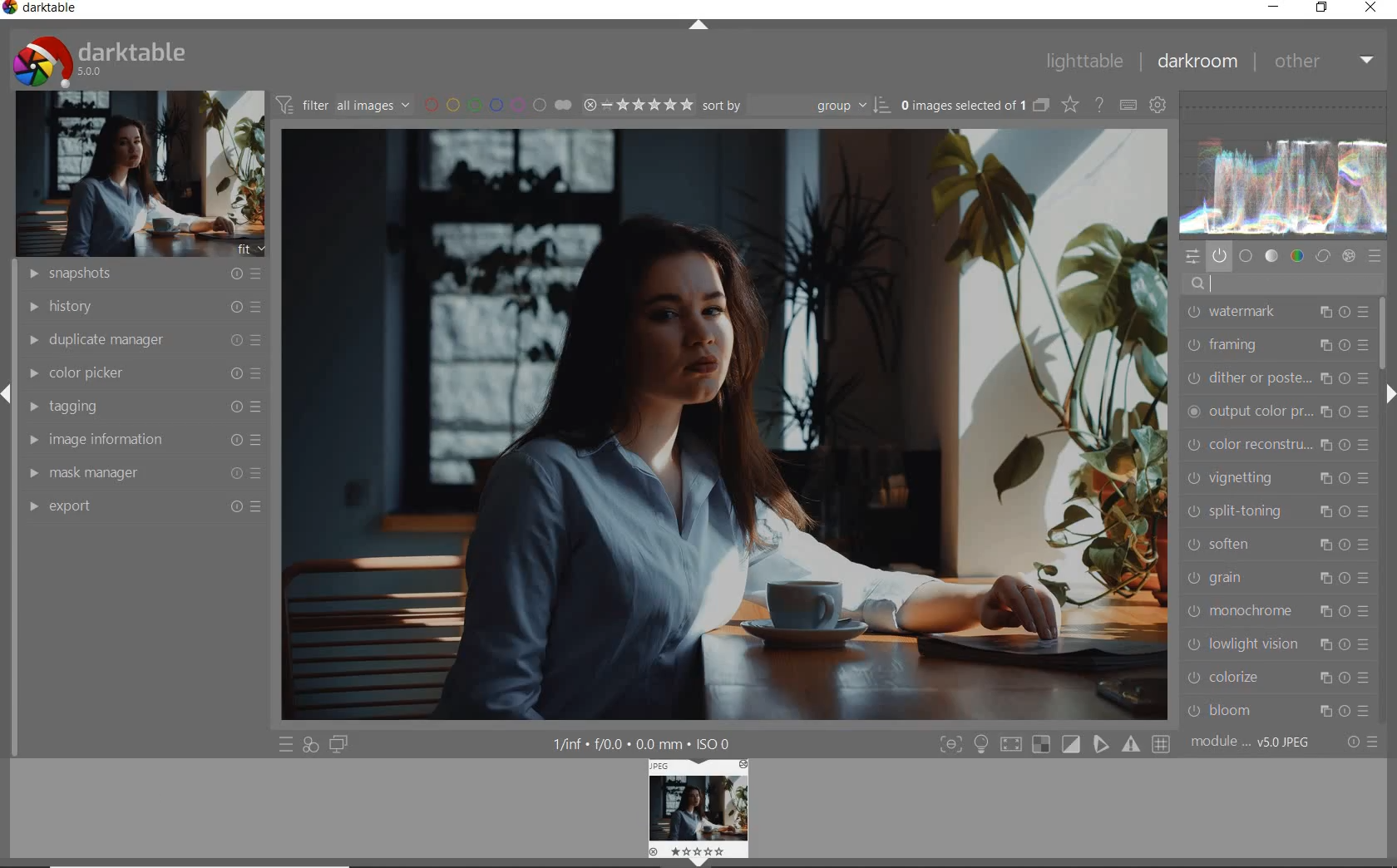 This screenshot has height=868, width=1397. Describe the element at coordinates (1039, 106) in the screenshot. I see `collapse grouped images` at that location.